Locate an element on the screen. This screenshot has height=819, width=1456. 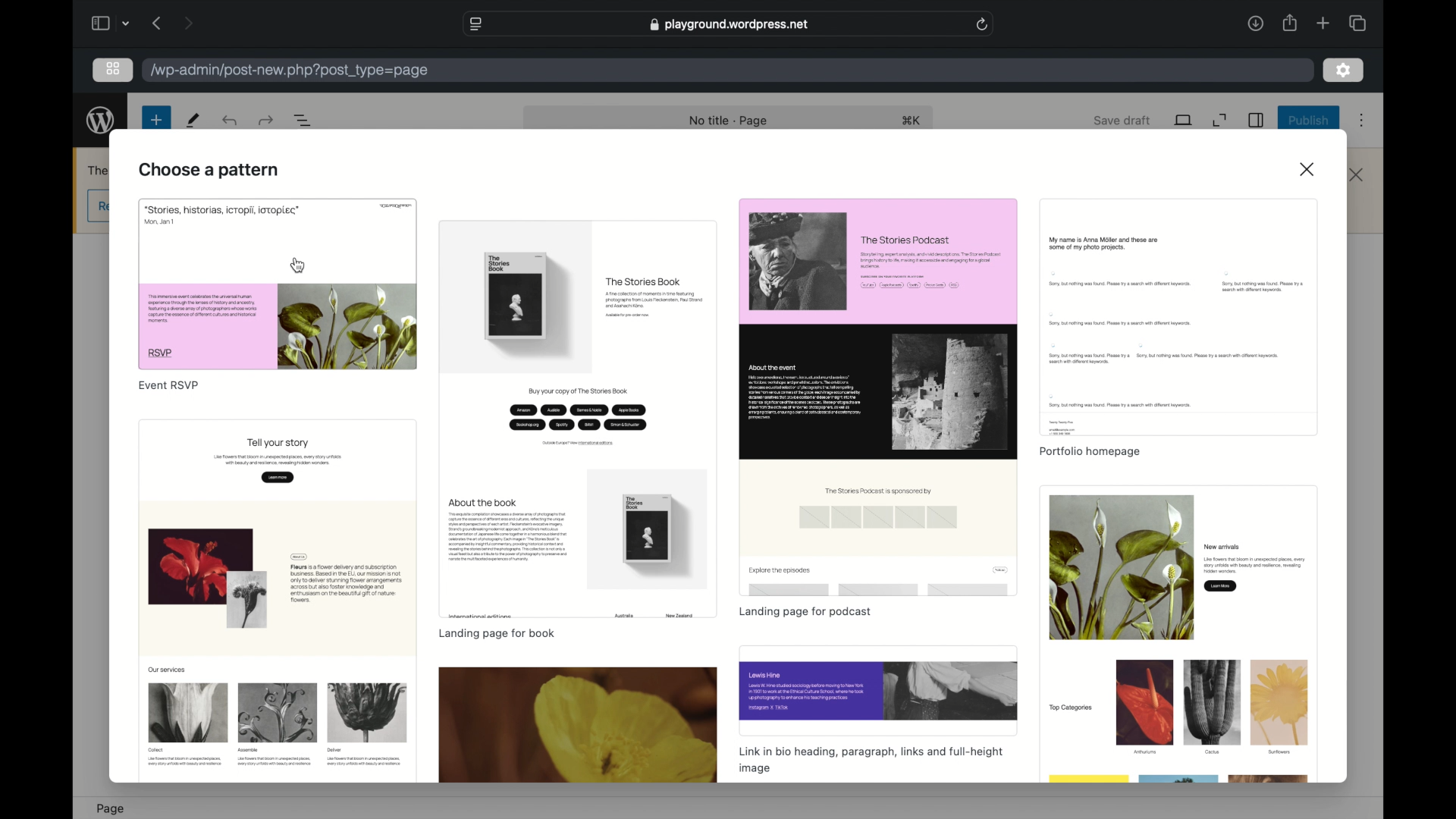
previous page is located at coordinates (158, 23).